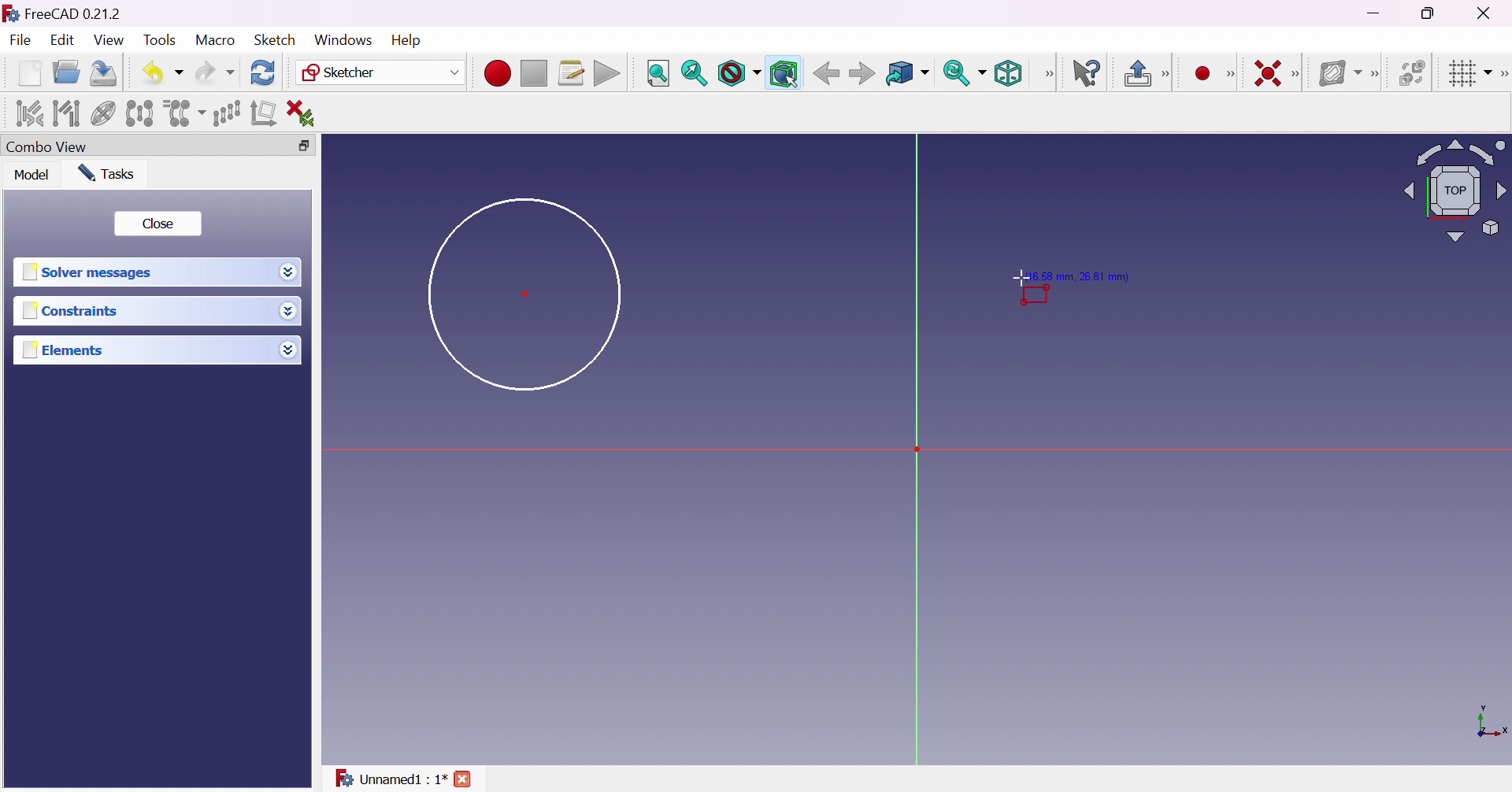 The image size is (1512, 792). Describe the element at coordinates (739, 74) in the screenshot. I see `Draw style` at that location.